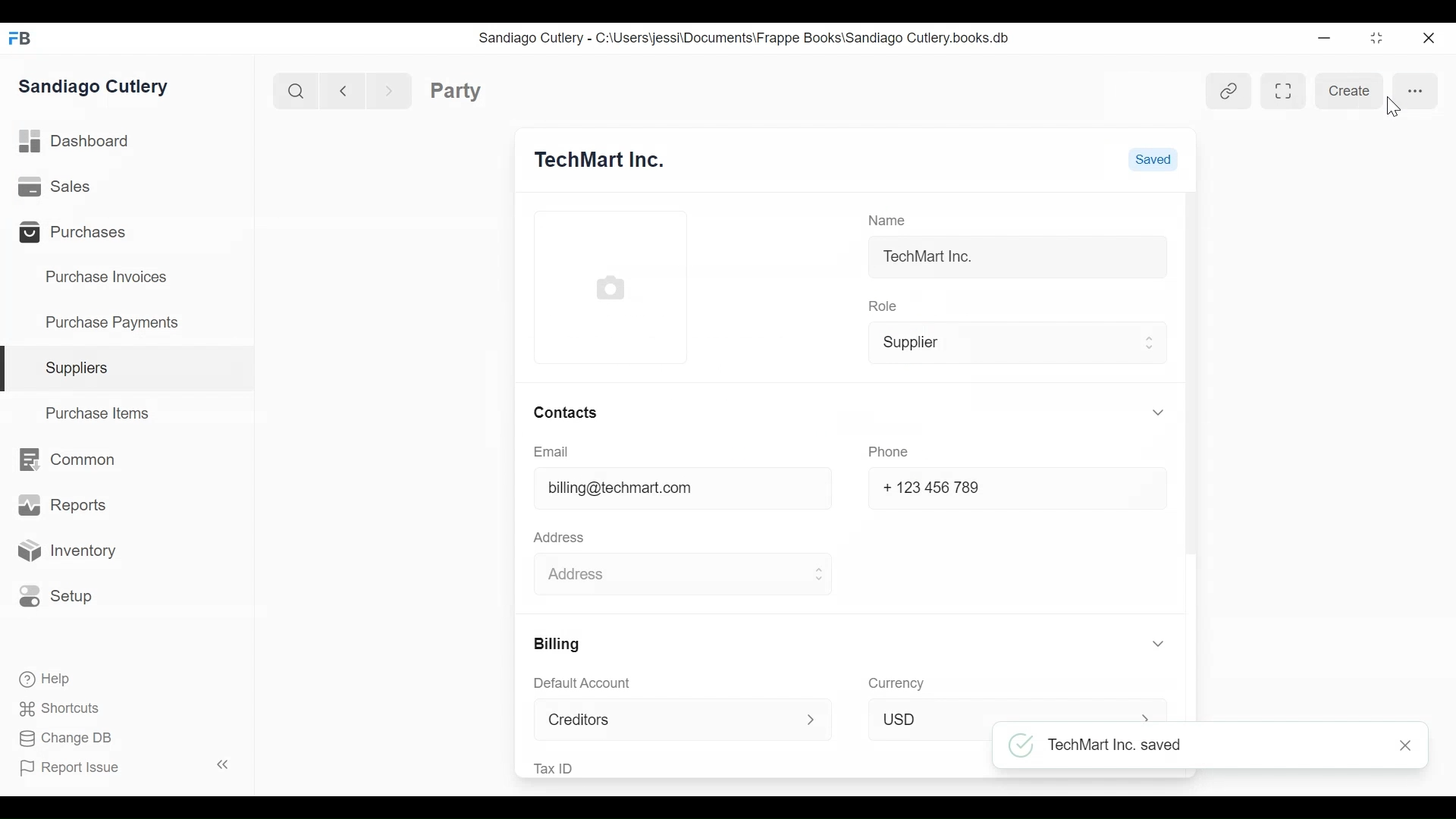  What do you see at coordinates (1394, 111) in the screenshot?
I see `Cursor` at bounding box center [1394, 111].